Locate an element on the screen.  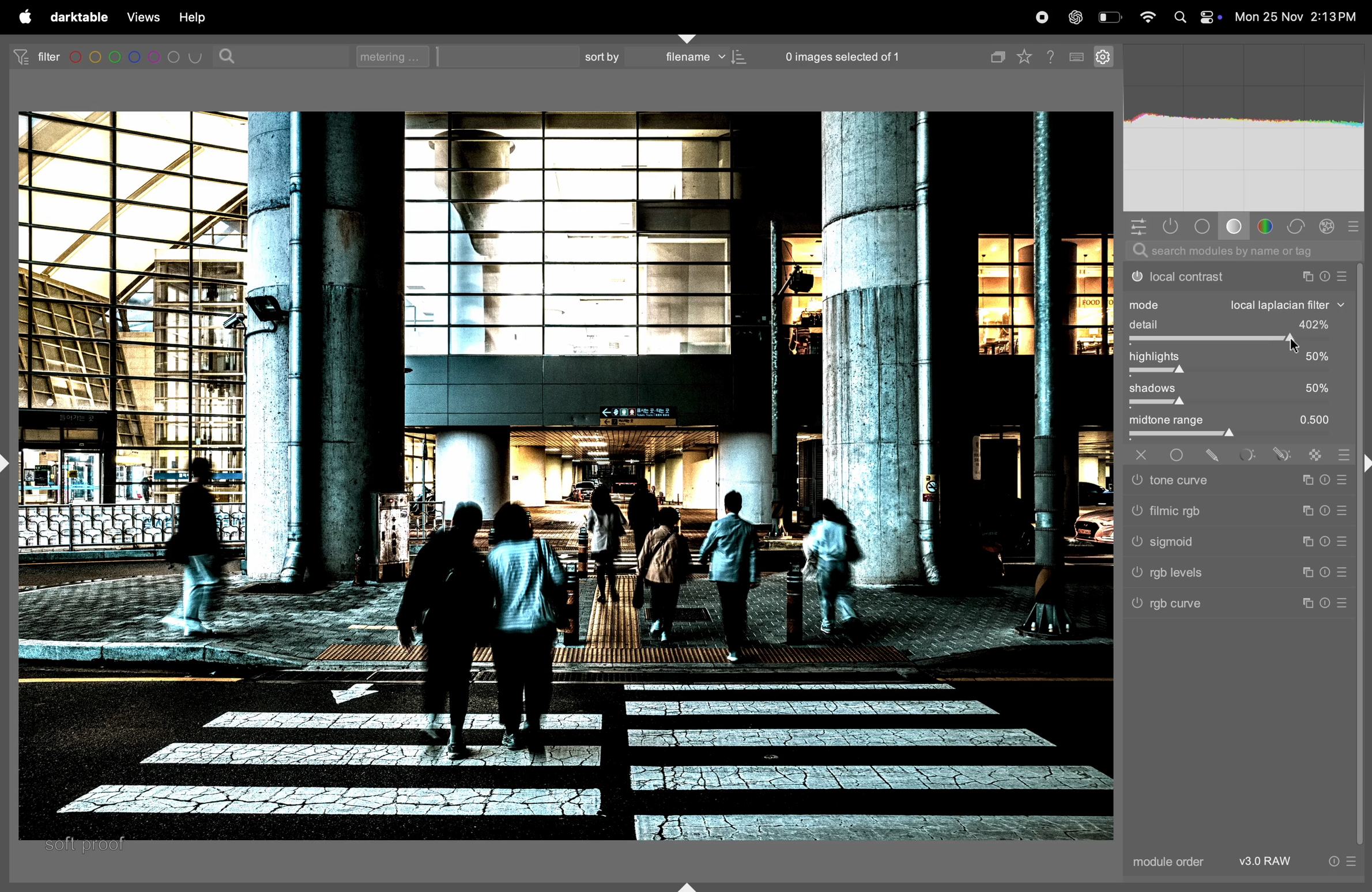
spotlight search is located at coordinates (1179, 18).